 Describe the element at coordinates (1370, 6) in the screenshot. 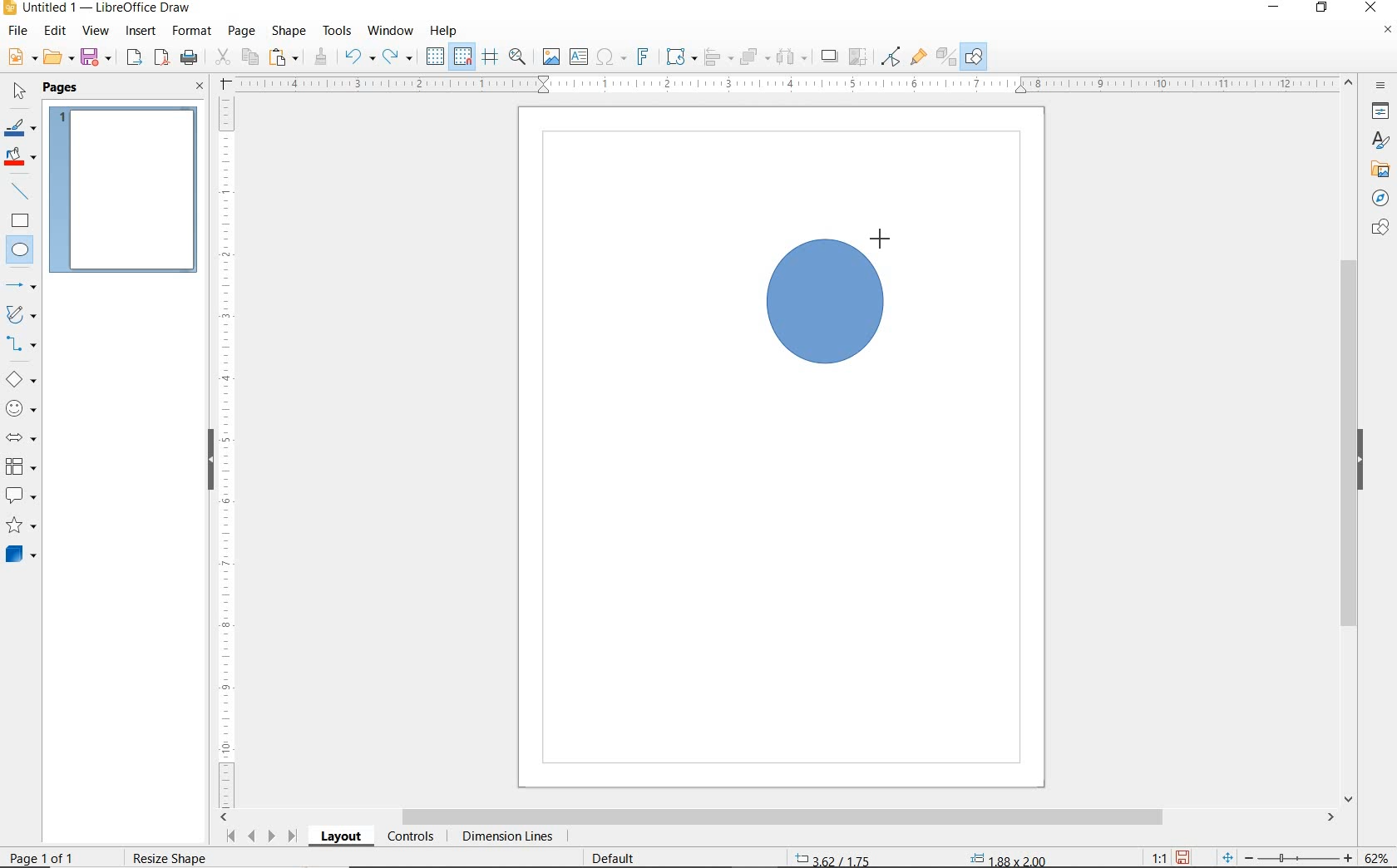

I see `CLOSE` at that location.